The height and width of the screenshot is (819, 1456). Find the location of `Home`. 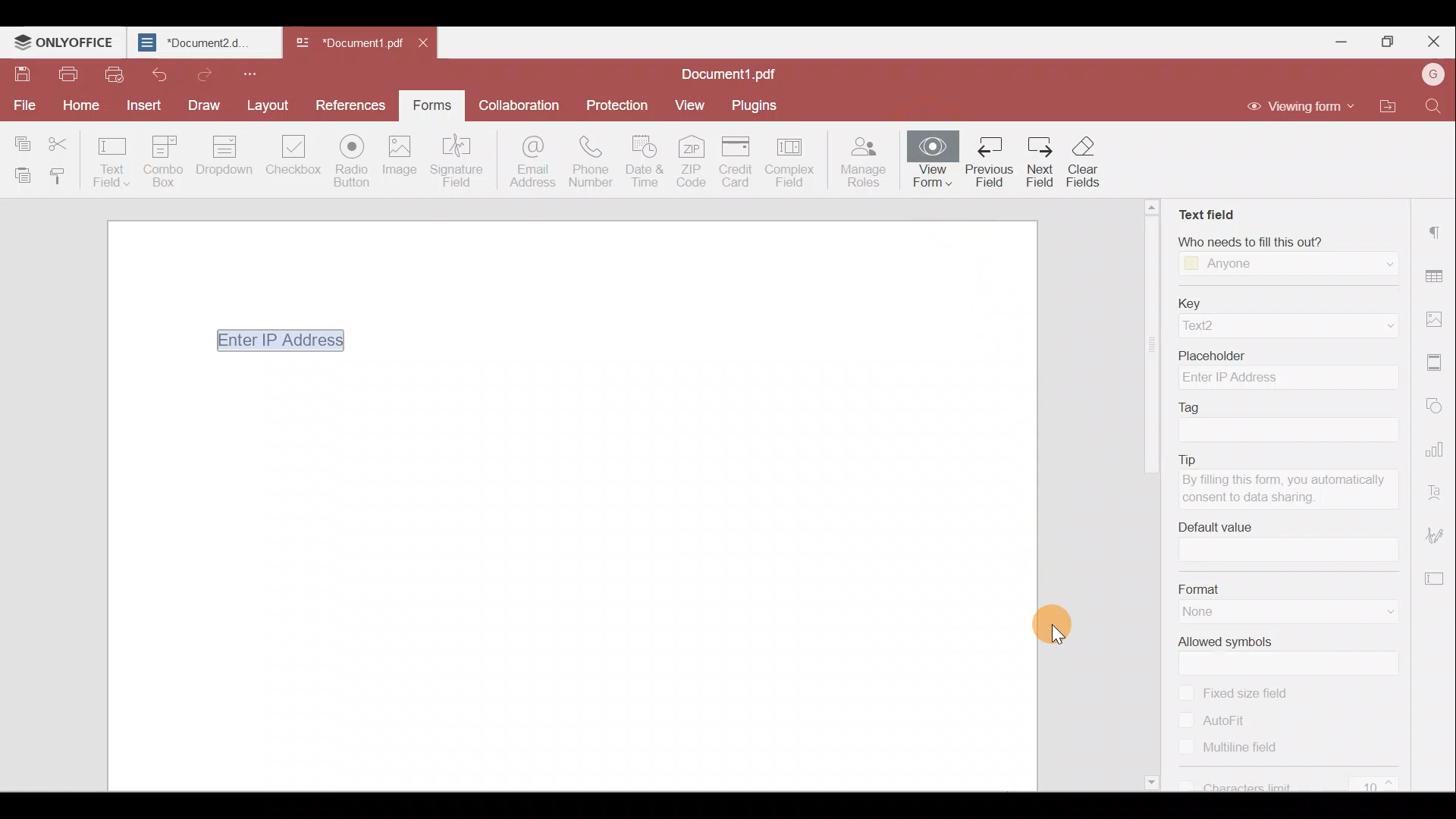

Home is located at coordinates (85, 104).